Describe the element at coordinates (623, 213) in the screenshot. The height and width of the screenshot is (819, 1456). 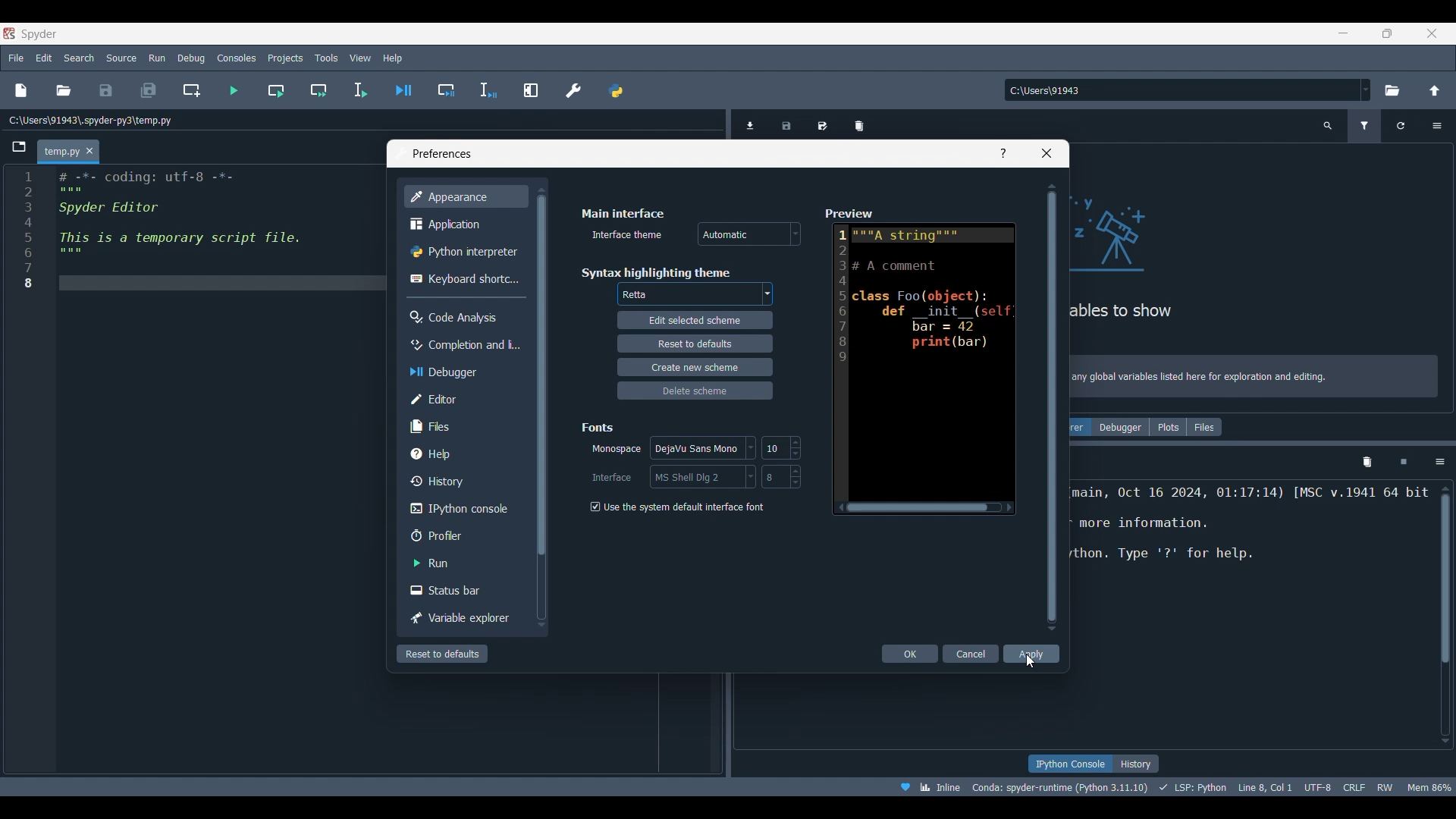
I see `Section title` at that location.